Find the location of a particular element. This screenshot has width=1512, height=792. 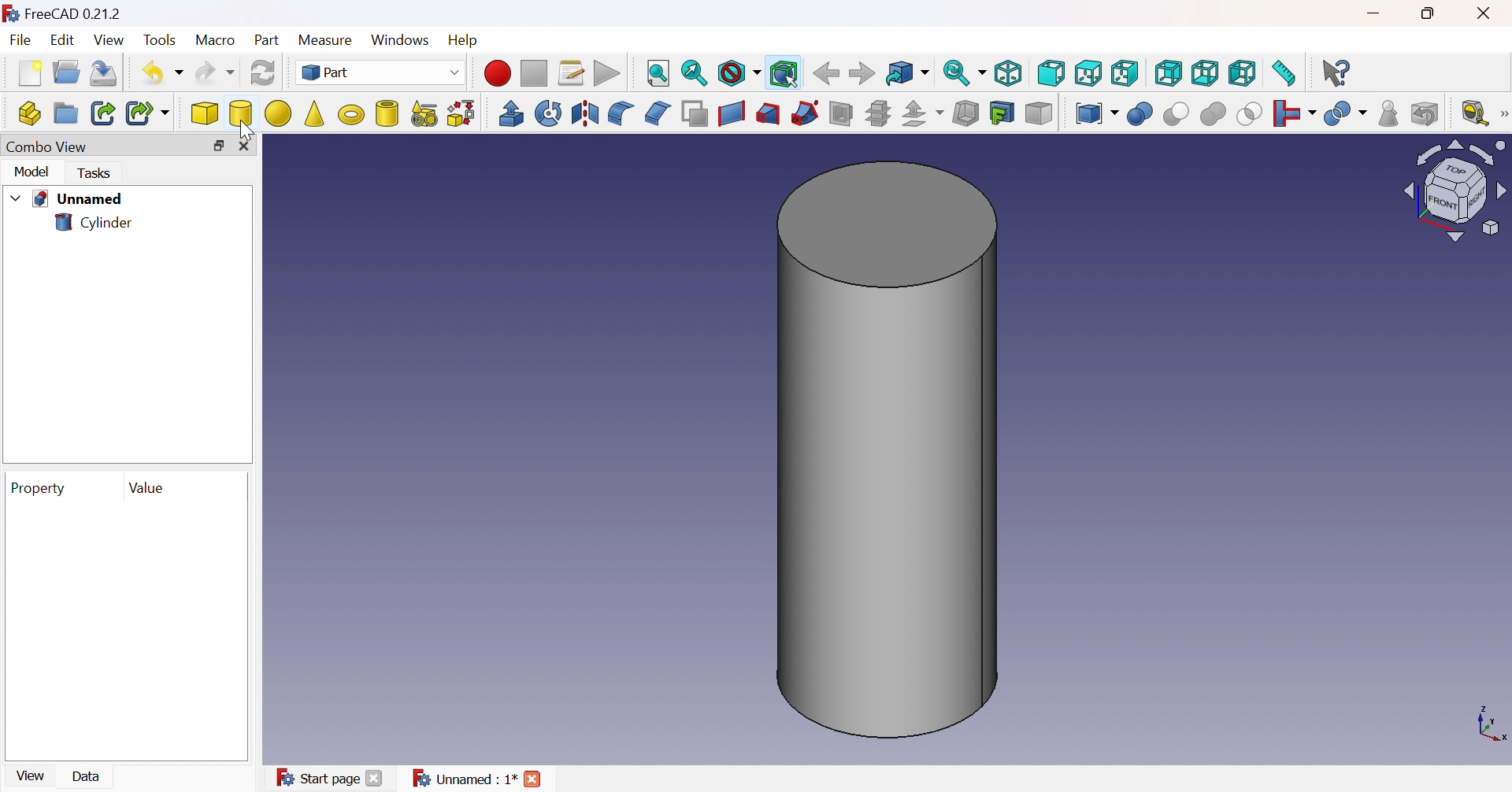

Stop macro recording is located at coordinates (535, 73).